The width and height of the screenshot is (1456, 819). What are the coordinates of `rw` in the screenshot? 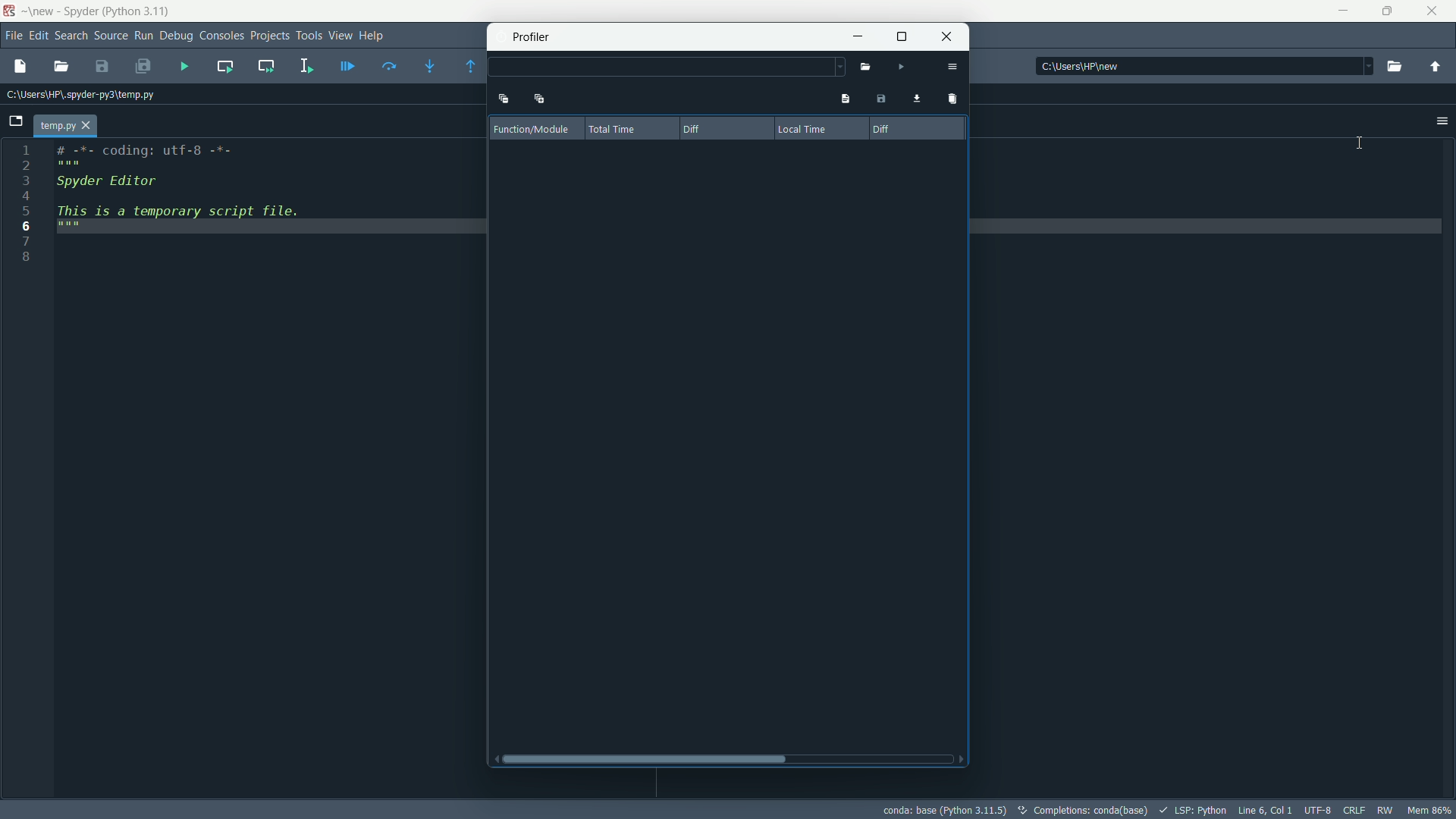 It's located at (1385, 812).